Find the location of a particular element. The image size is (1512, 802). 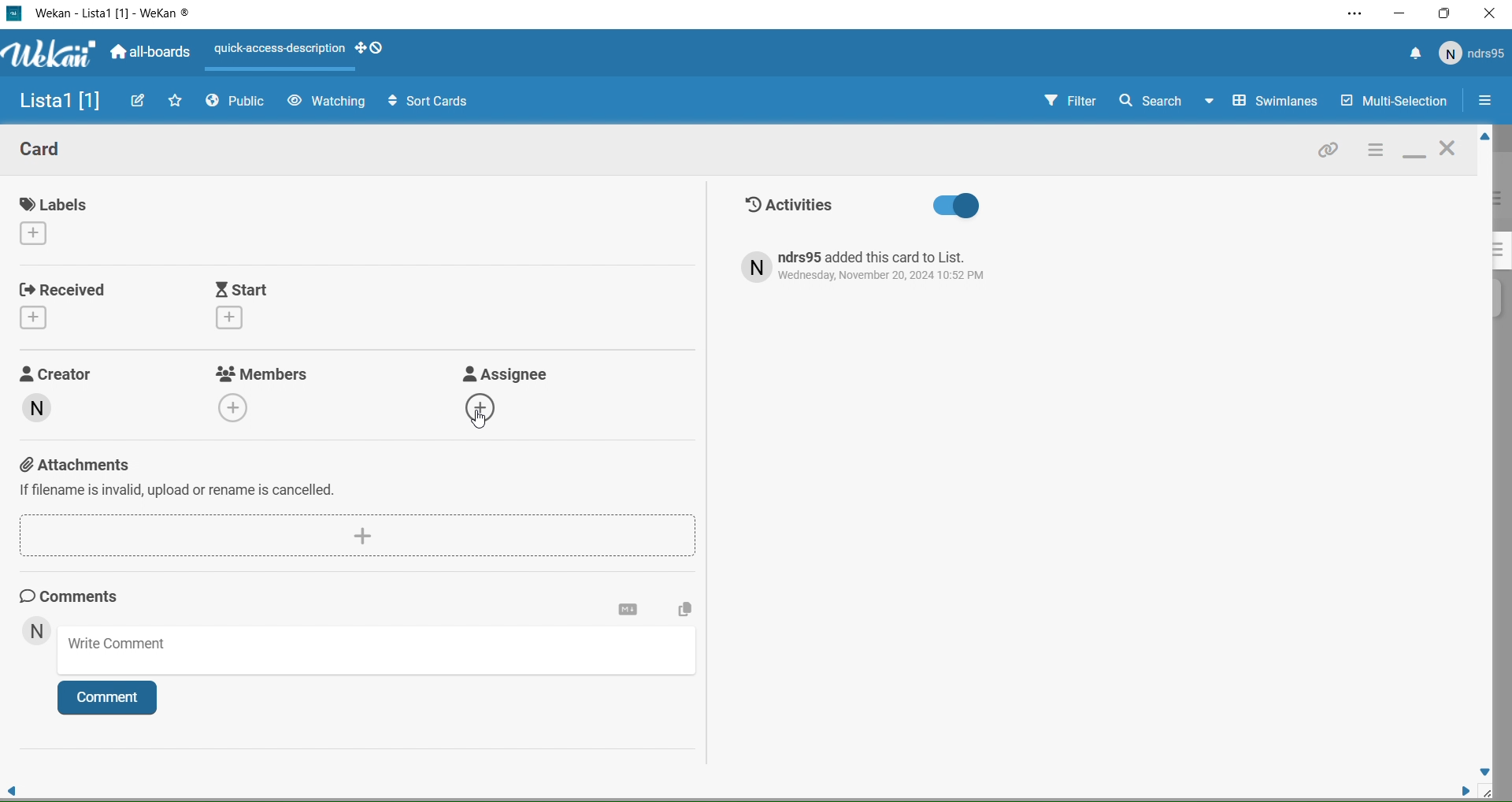

User is located at coordinates (36, 633).